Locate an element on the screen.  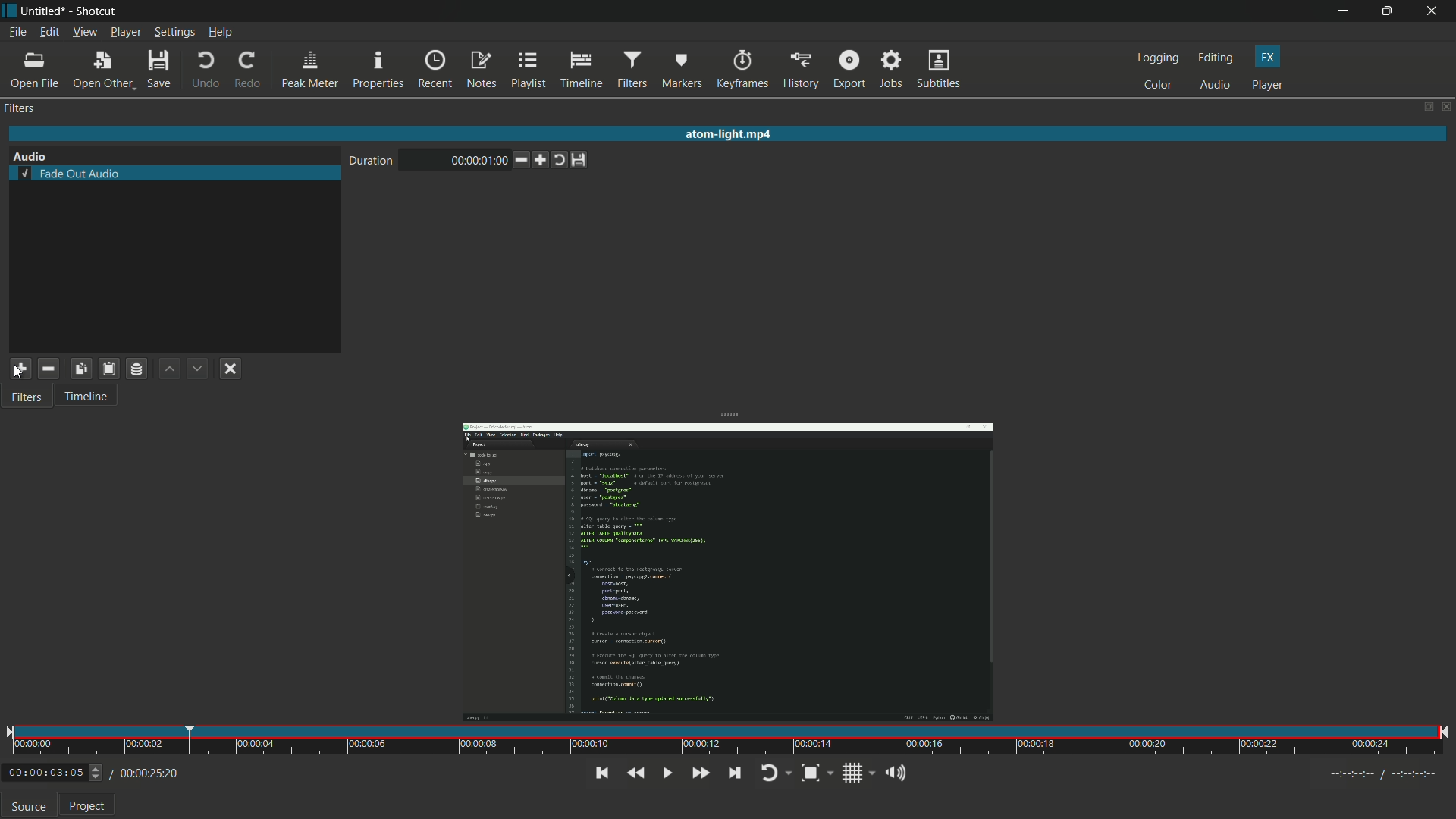
player menu is located at coordinates (126, 33).